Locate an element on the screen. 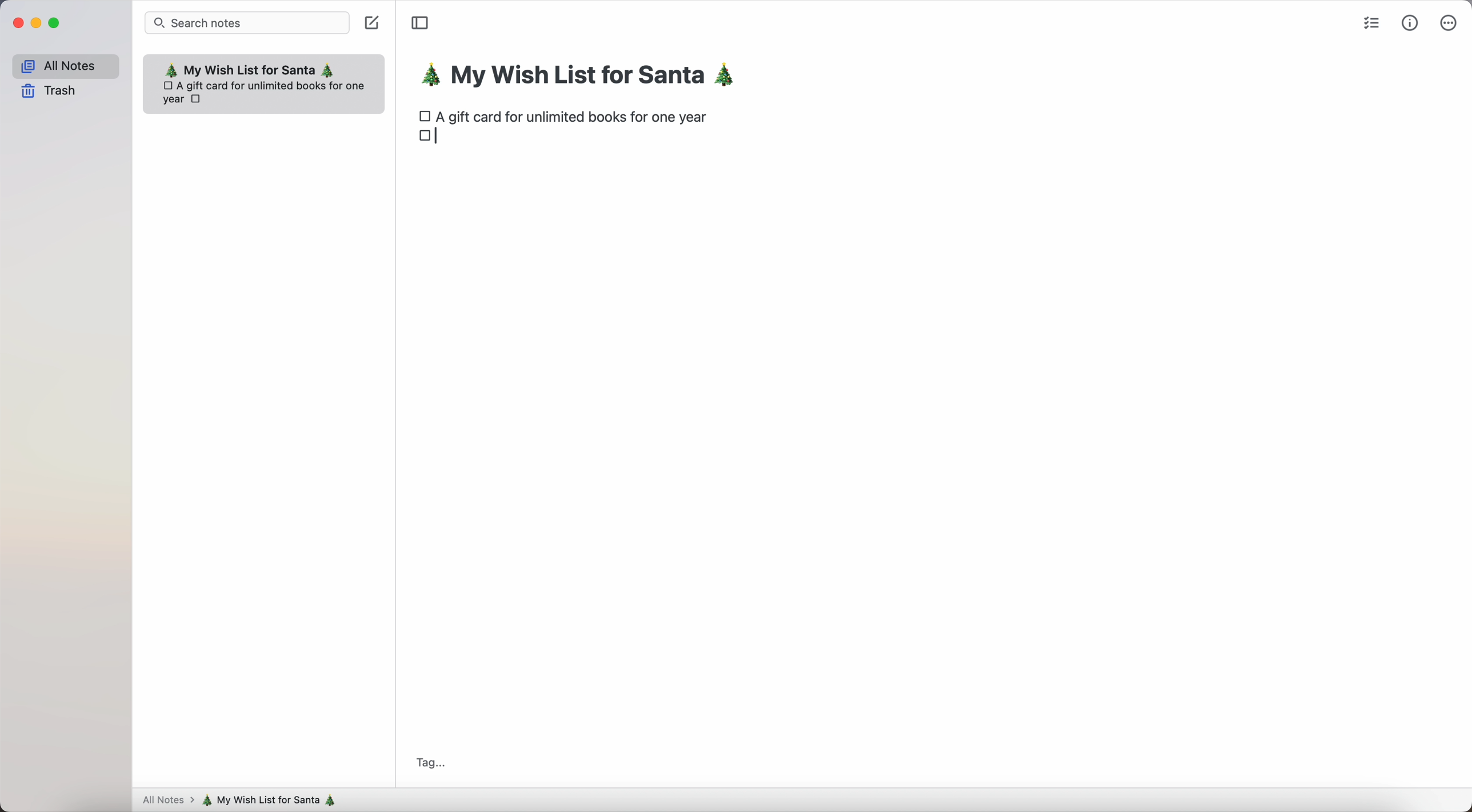 The width and height of the screenshot is (1472, 812). A gift card for unlimited books for one year is located at coordinates (576, 116).